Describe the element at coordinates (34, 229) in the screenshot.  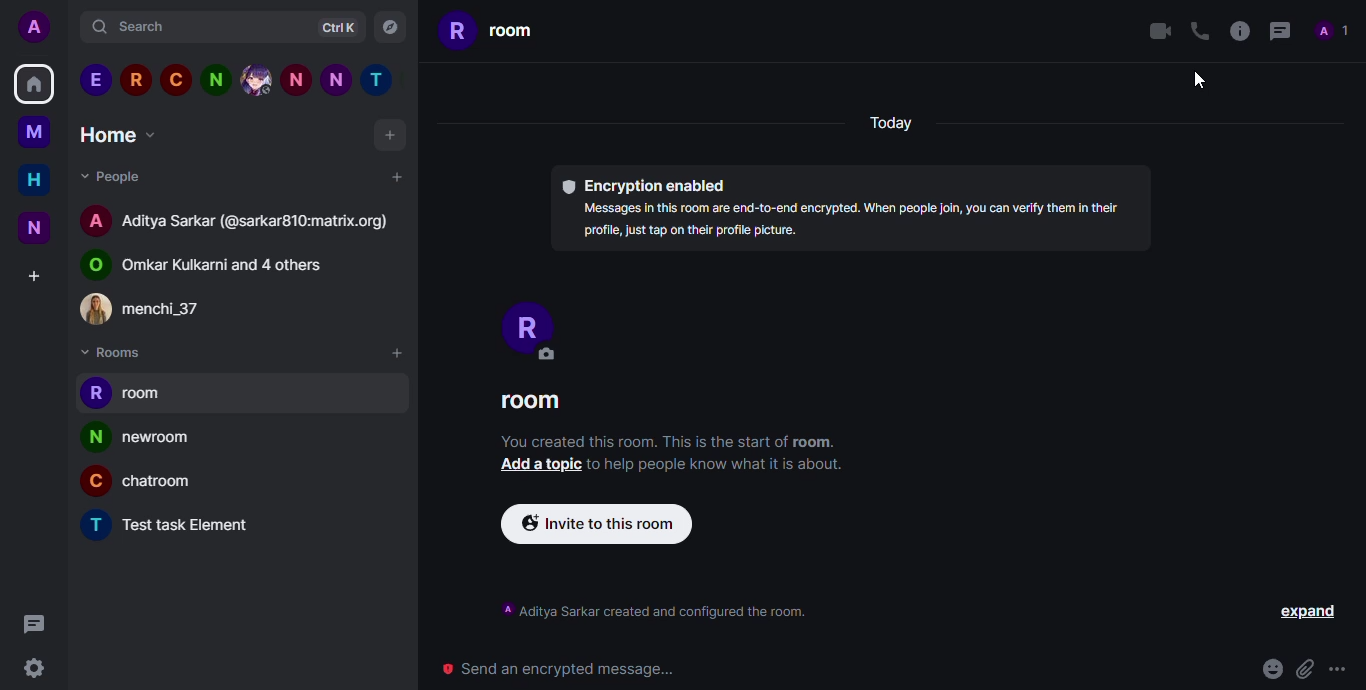
I see `New` at that location.